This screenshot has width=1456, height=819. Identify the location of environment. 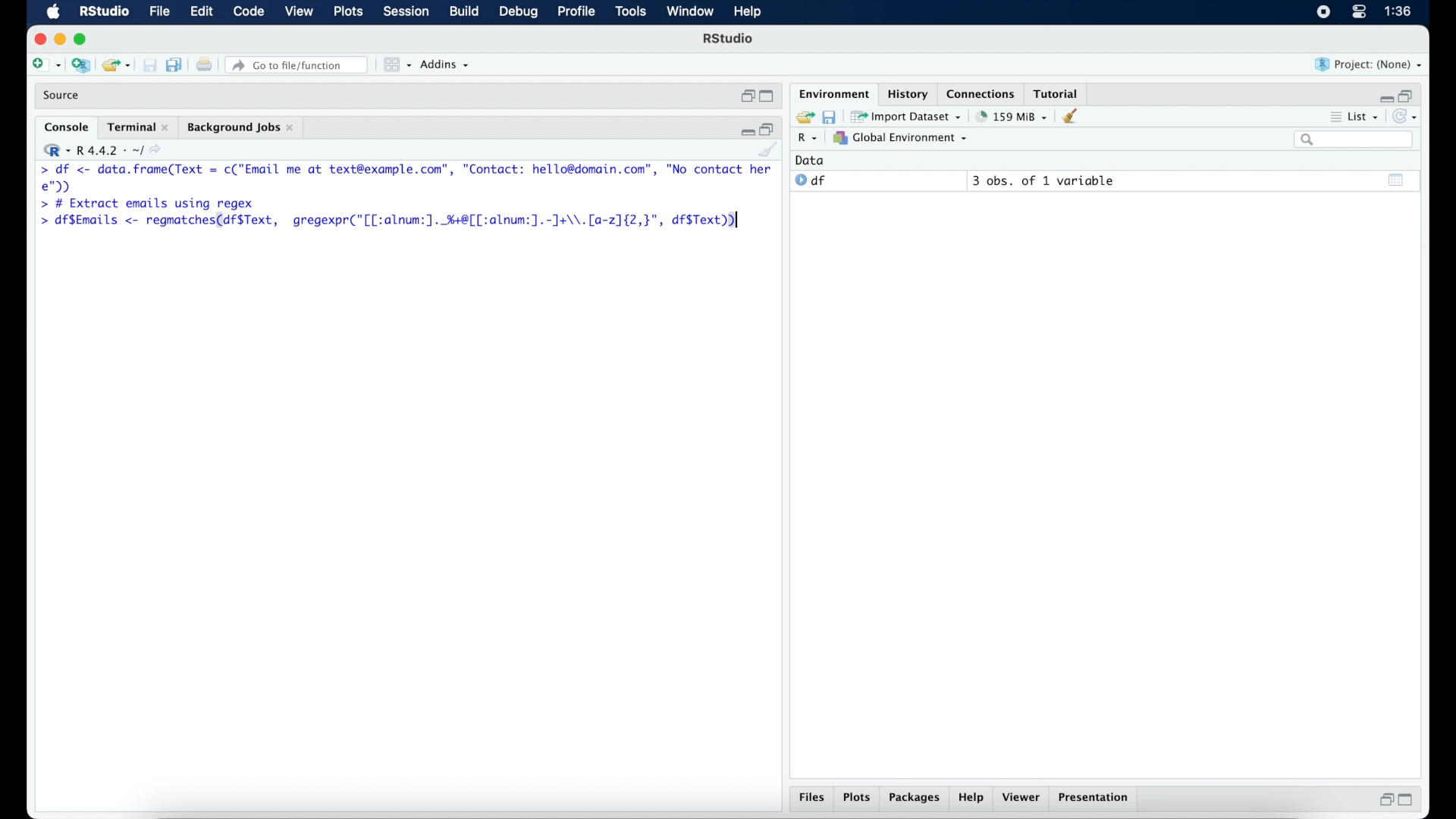
(833, 93).